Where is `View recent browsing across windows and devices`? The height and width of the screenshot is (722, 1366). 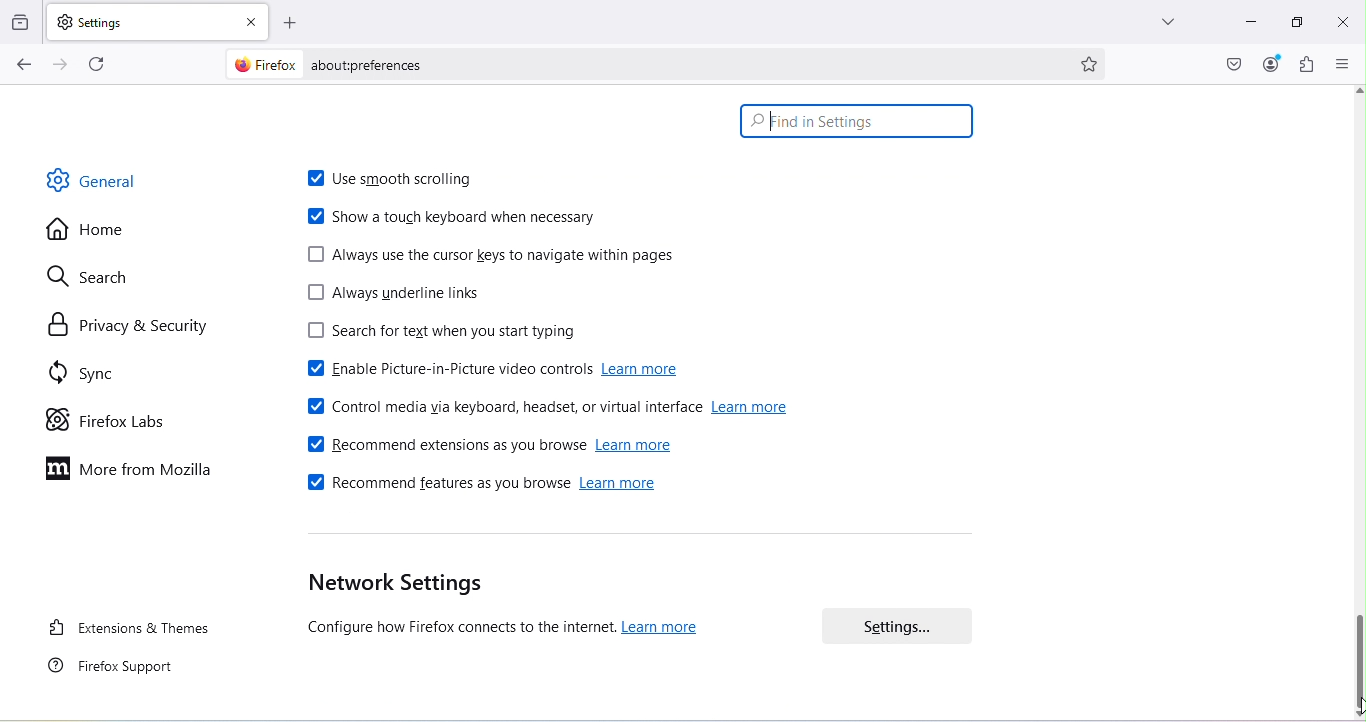
View recent browsing across windows and devices is located at coordinates (22, 18).